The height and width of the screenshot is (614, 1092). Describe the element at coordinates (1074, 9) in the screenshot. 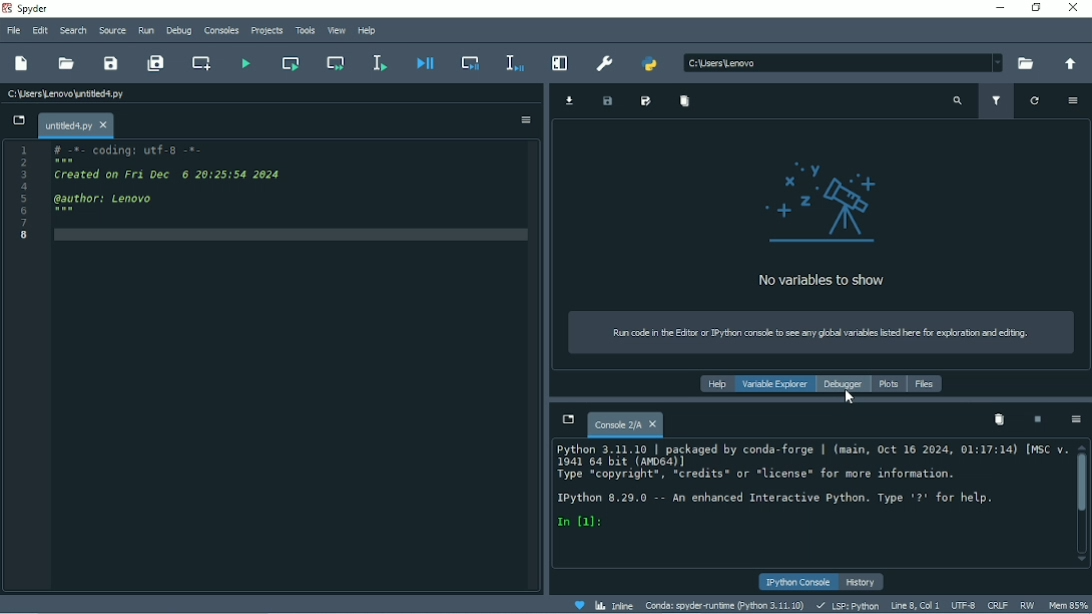

I see `Close` at that location.